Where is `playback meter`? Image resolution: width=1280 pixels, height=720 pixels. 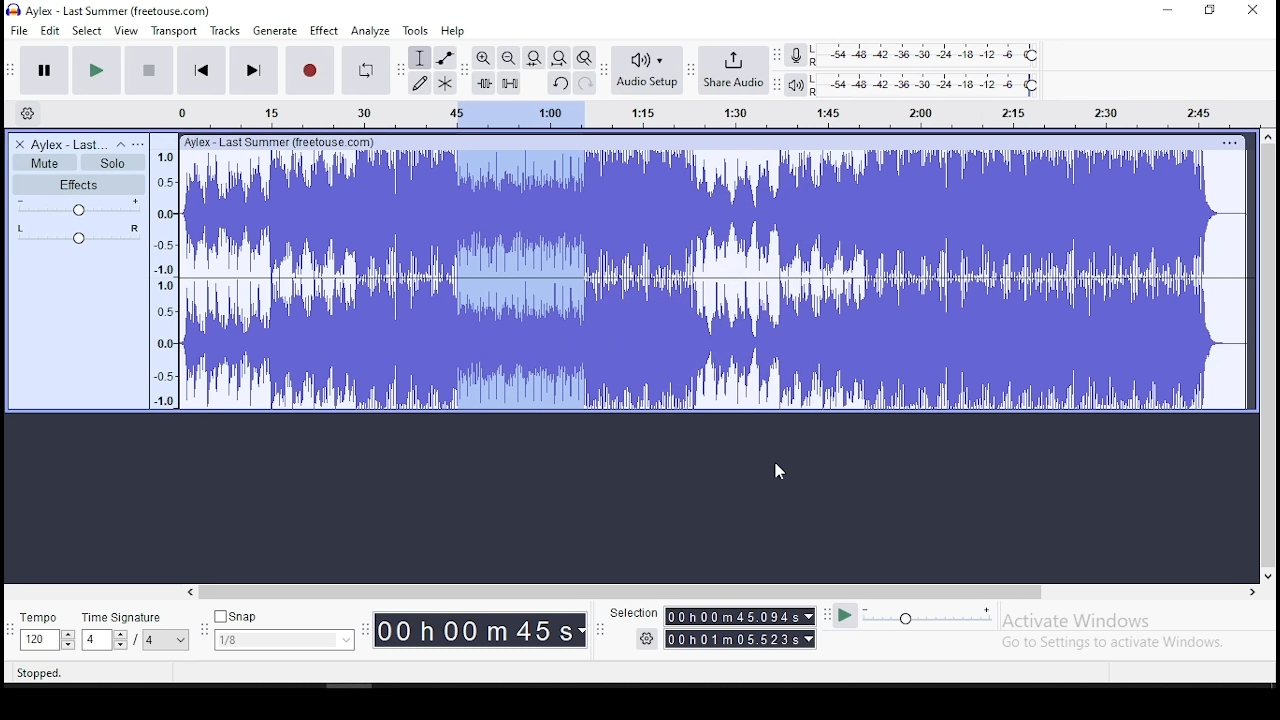 playback meter is located at coordinates (795, 84).